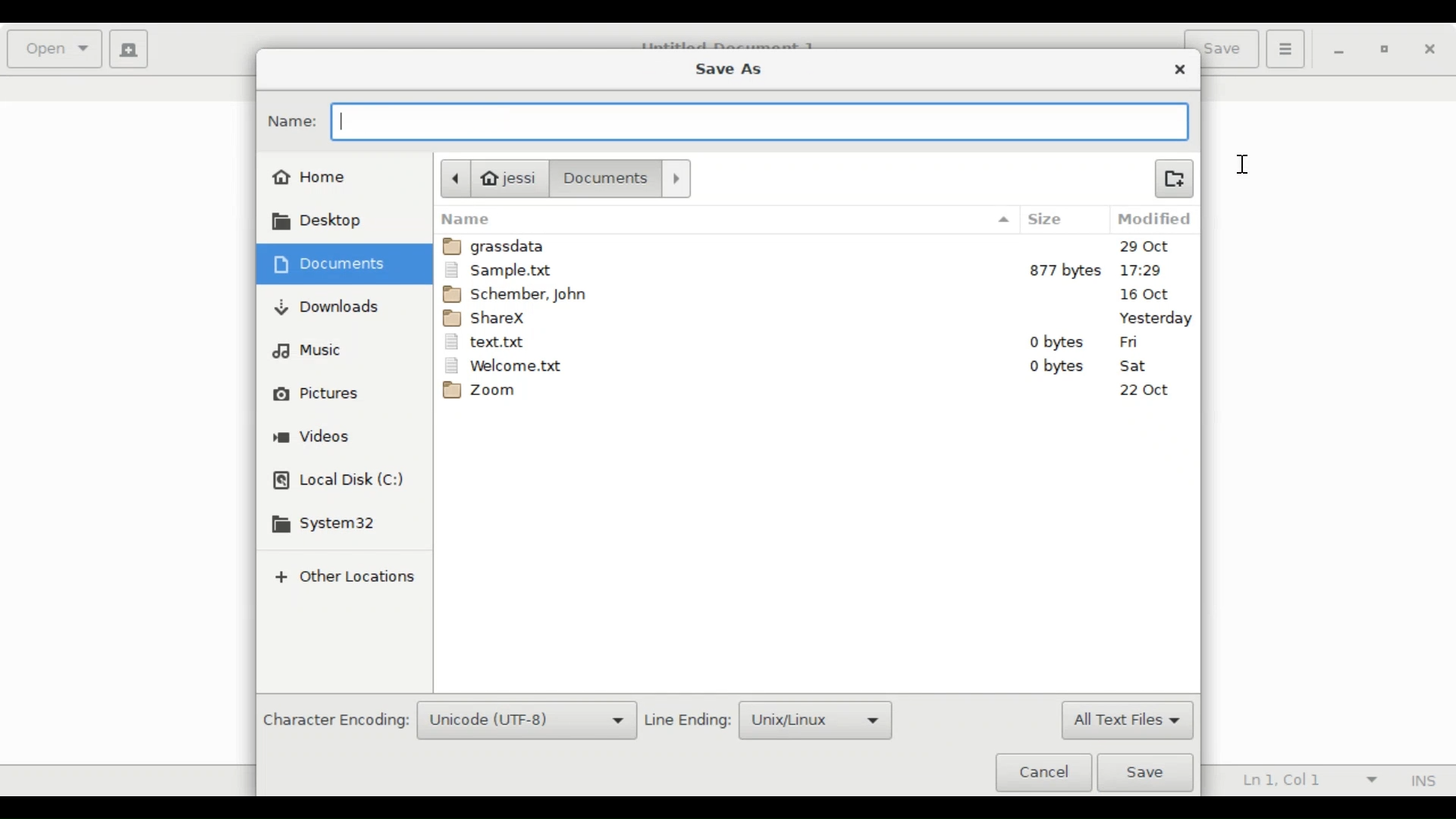 Image resolution: width=1456 pixels, height=819 pixels. I want to click on Modified, so click(1156, 219).